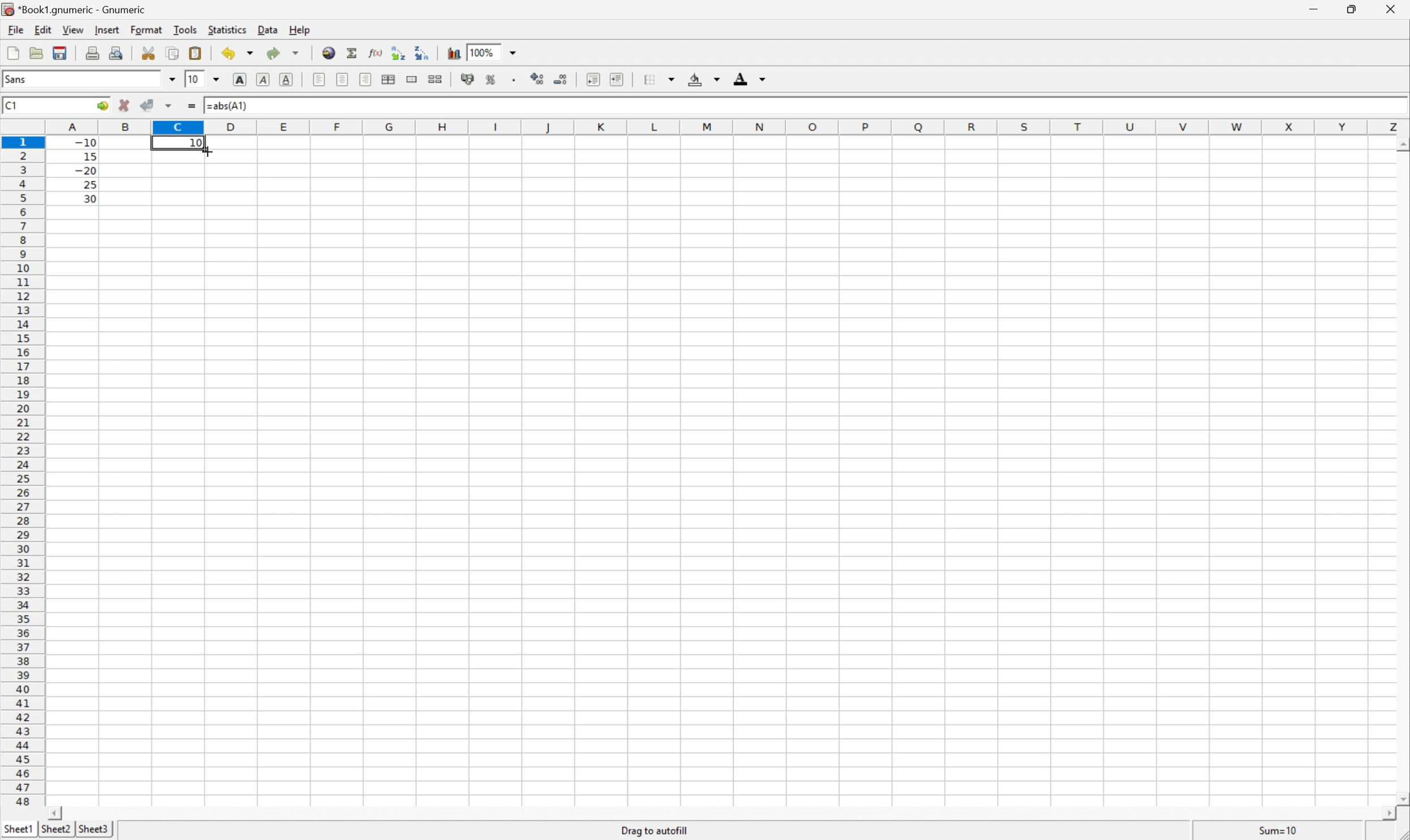 This screenshot has height=840, width=1410. What do you see at coordinates (13, 54) in the screenshot?
I see `File` at bounding box center [13, 54].